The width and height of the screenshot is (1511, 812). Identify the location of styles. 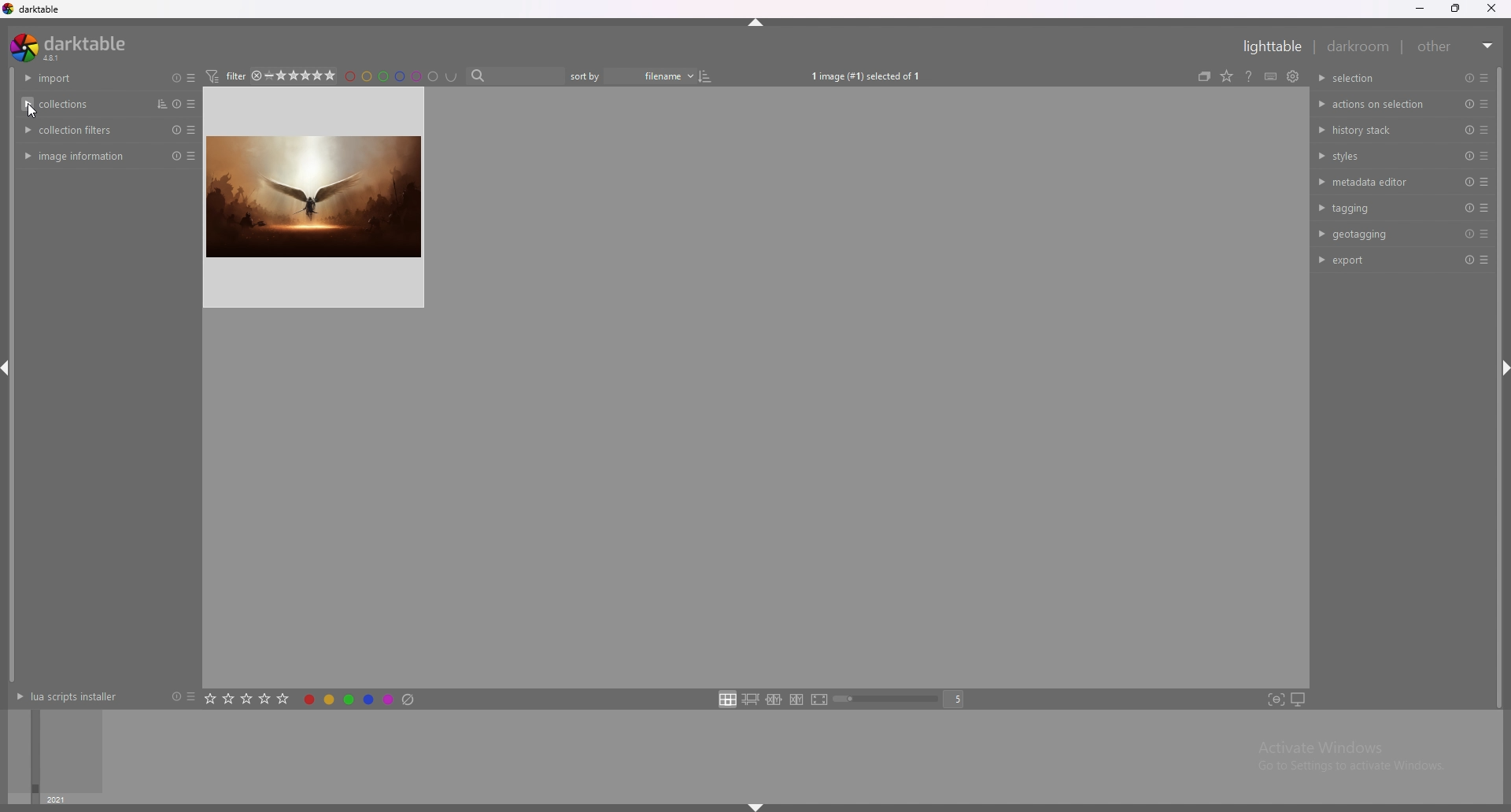
(1380, 155).